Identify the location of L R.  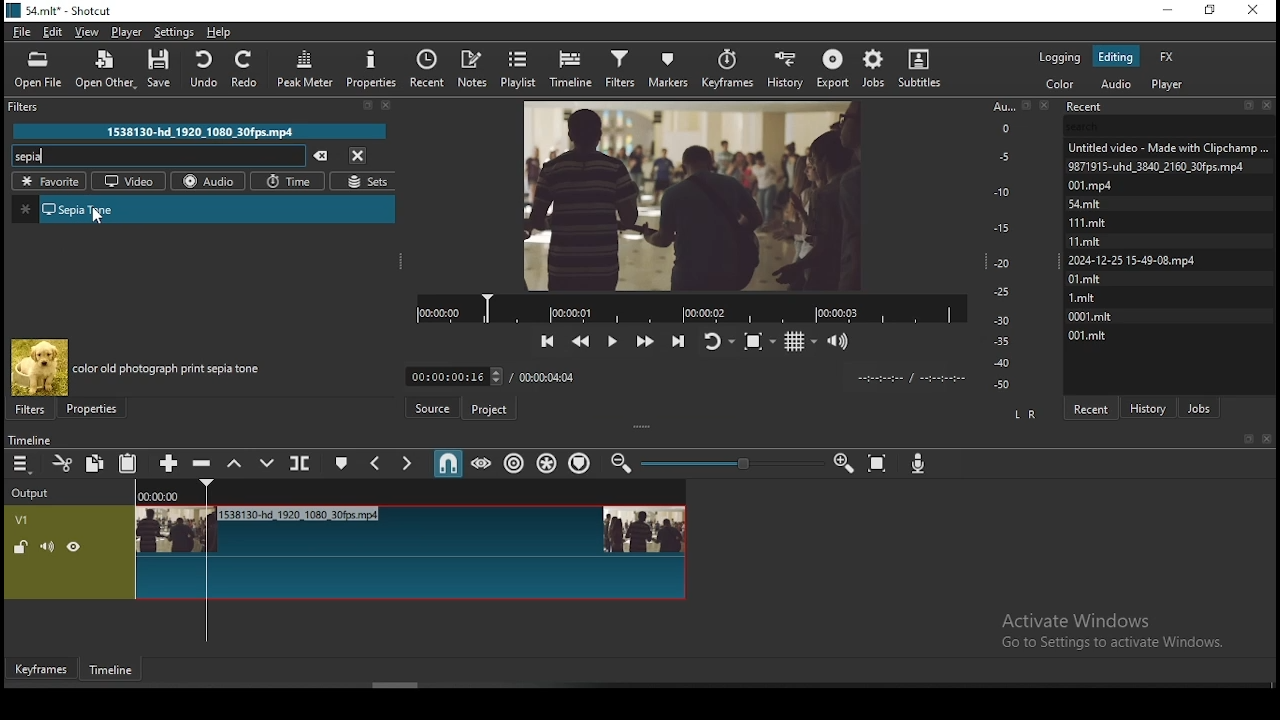
(1027, 414).